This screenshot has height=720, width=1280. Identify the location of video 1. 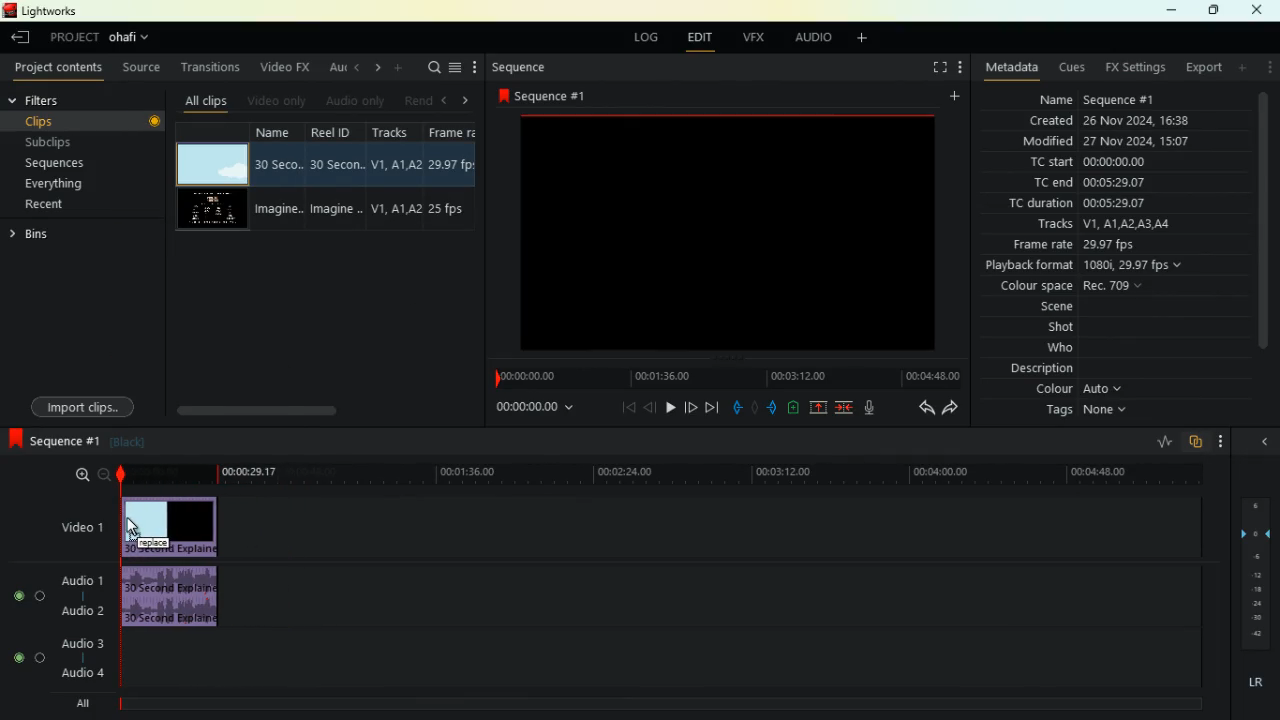
(81, 525).